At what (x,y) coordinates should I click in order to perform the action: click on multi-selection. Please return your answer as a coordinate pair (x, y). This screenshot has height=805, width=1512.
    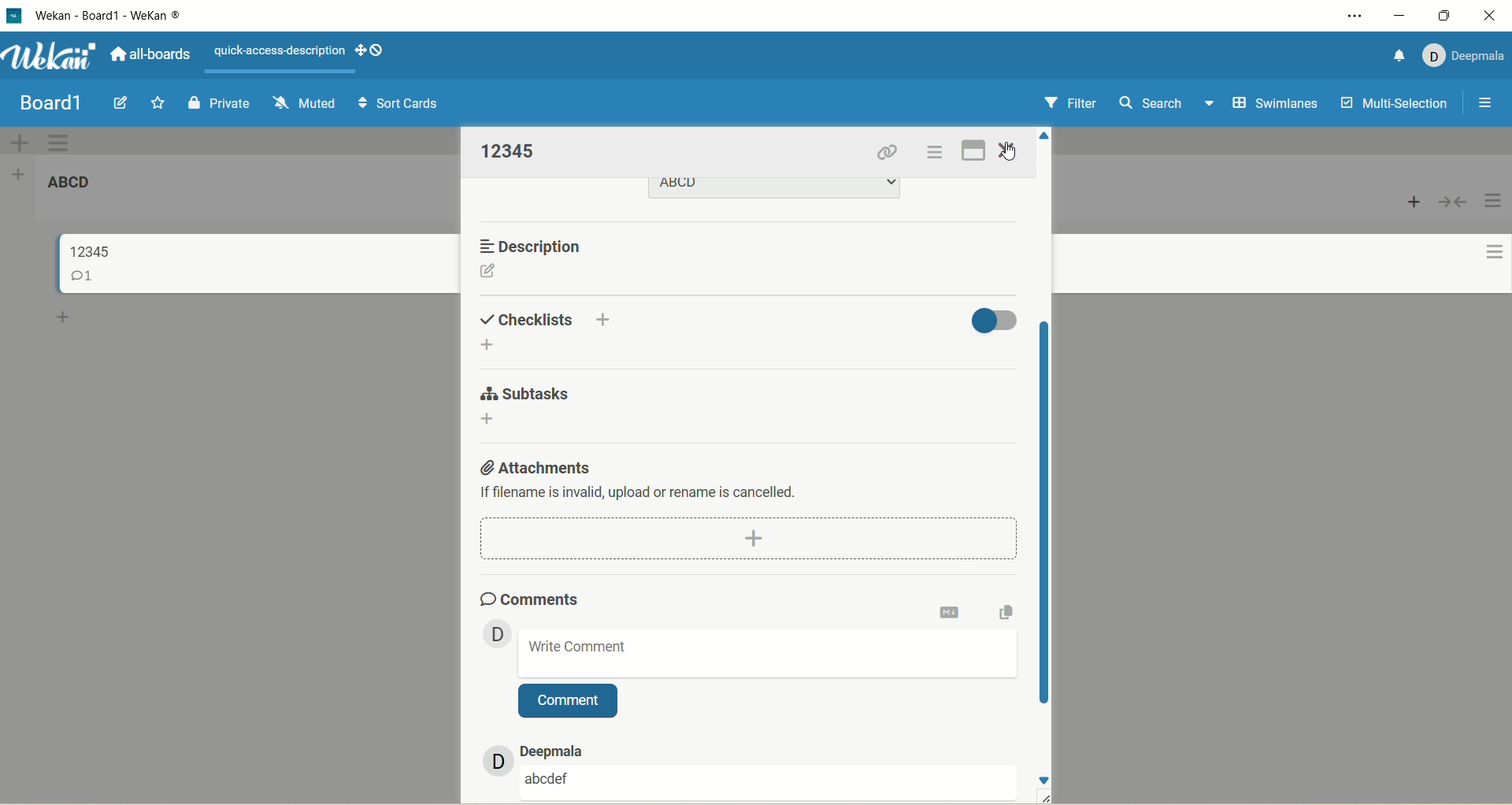
    Looking at the image, I should click on (1392, 104).